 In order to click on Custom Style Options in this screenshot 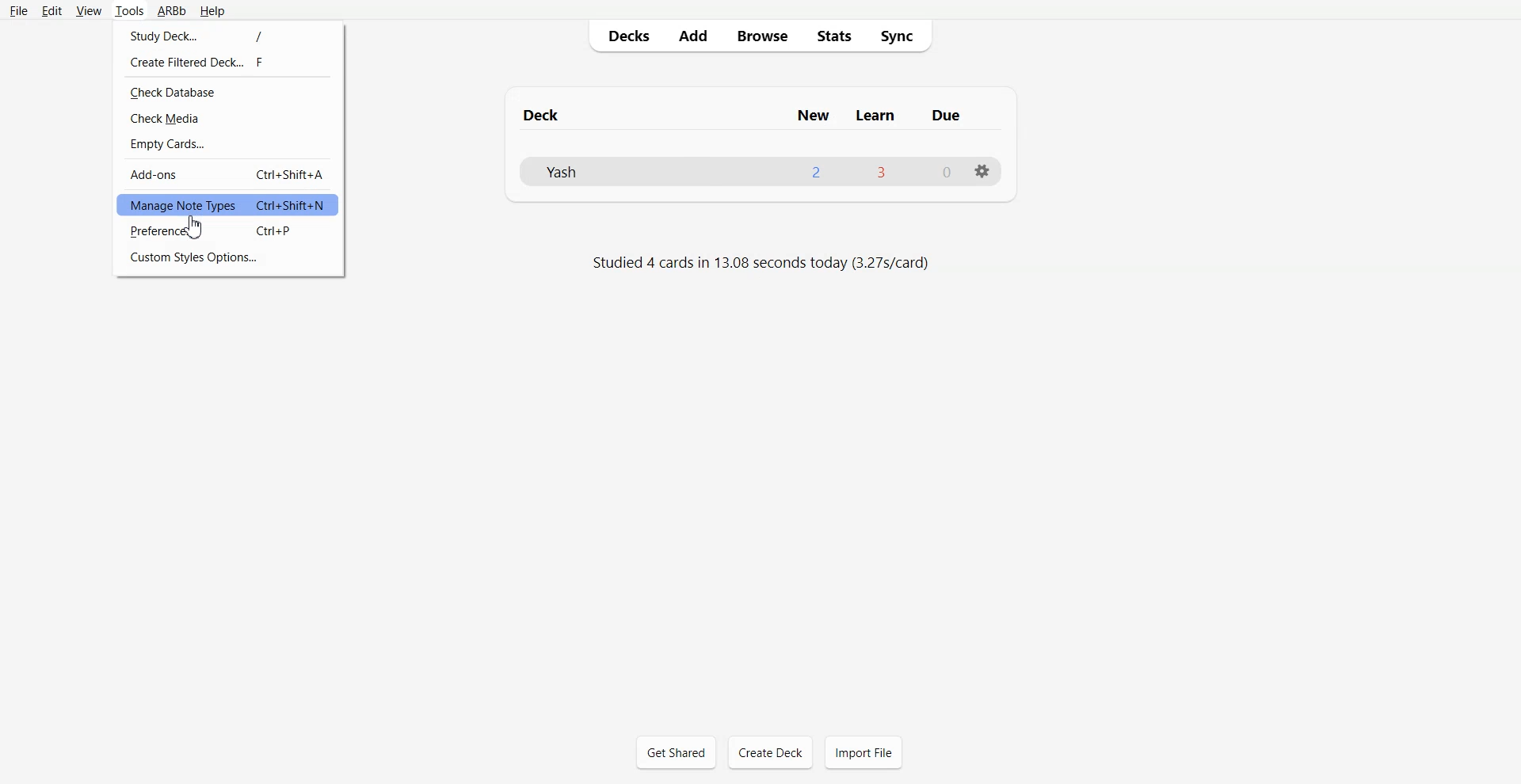, I will do `click(229, 258)`.